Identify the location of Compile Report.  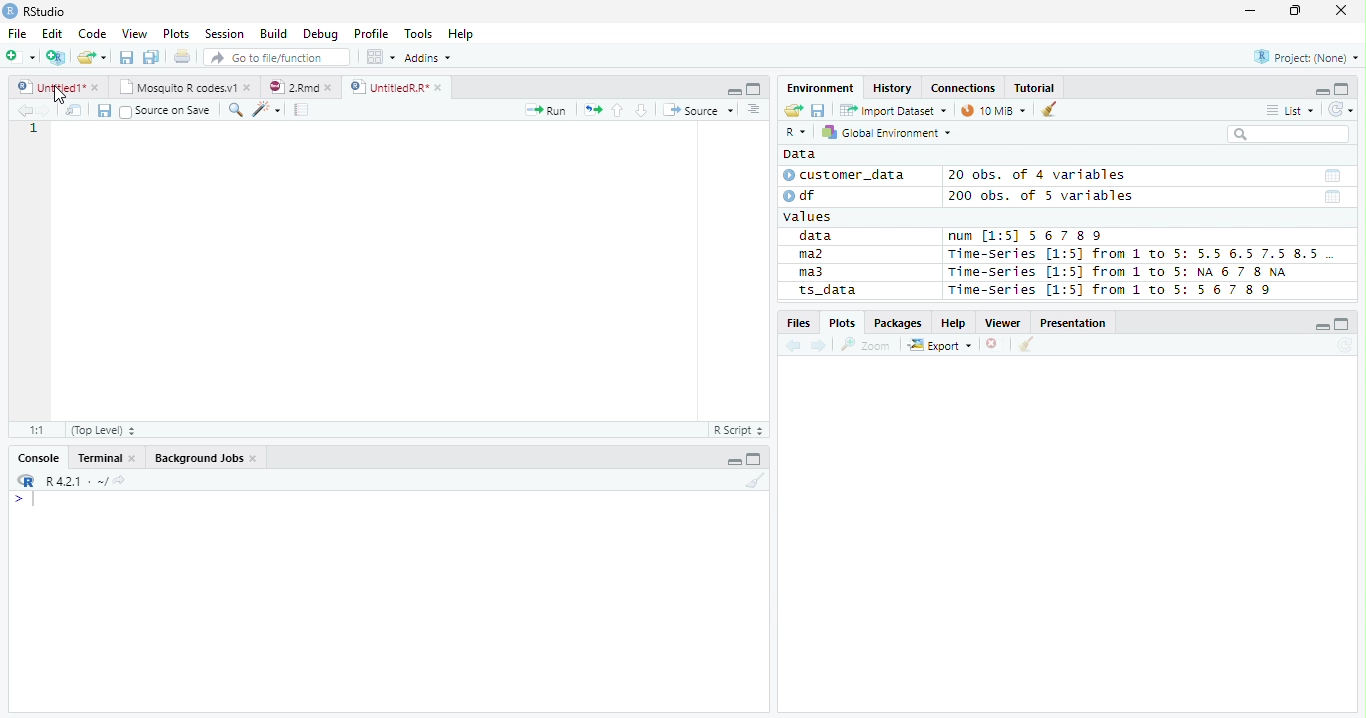
(302, 110).